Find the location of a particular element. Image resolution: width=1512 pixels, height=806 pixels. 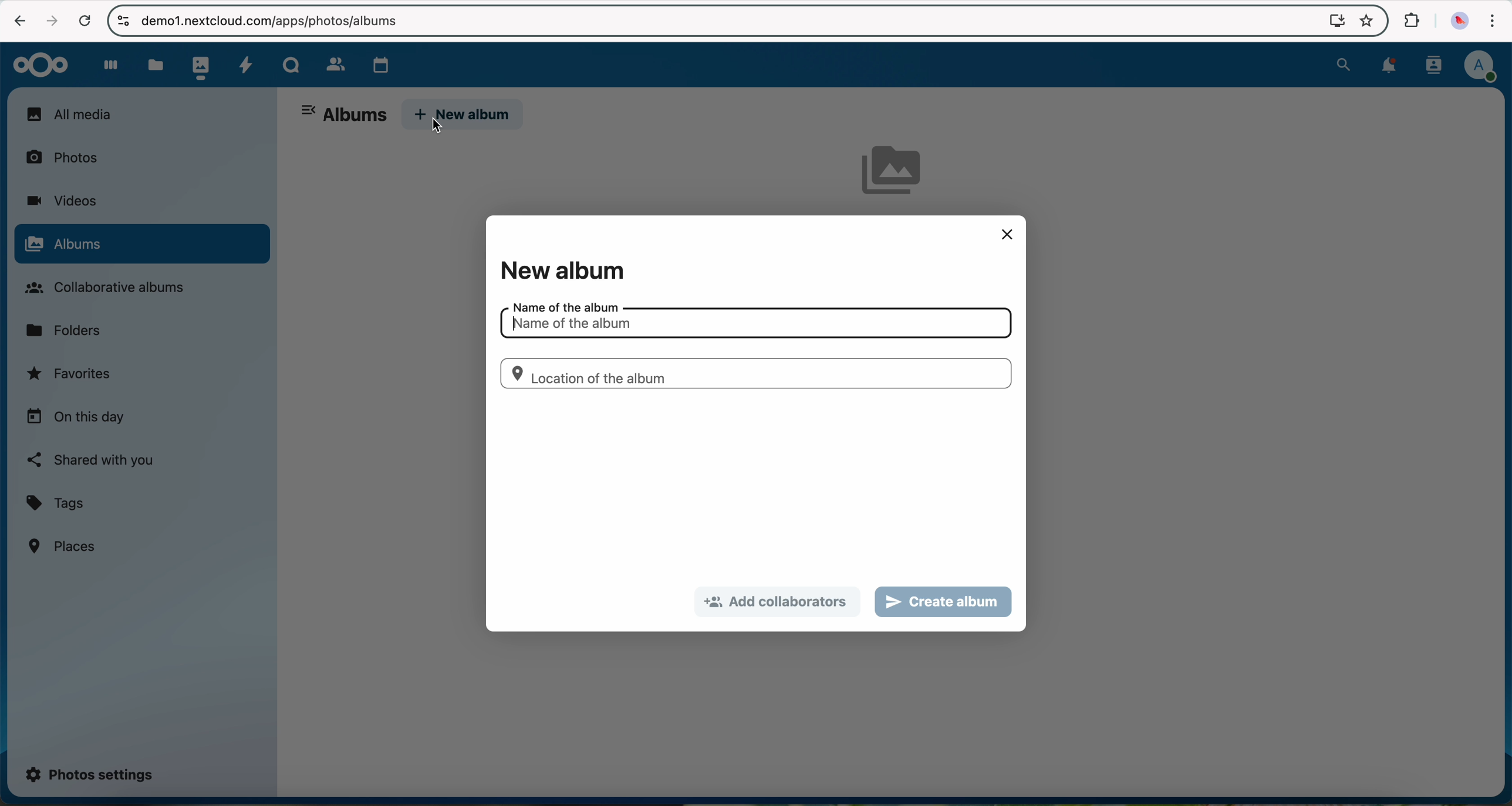

navigate back is located at coordinates (15, 19).